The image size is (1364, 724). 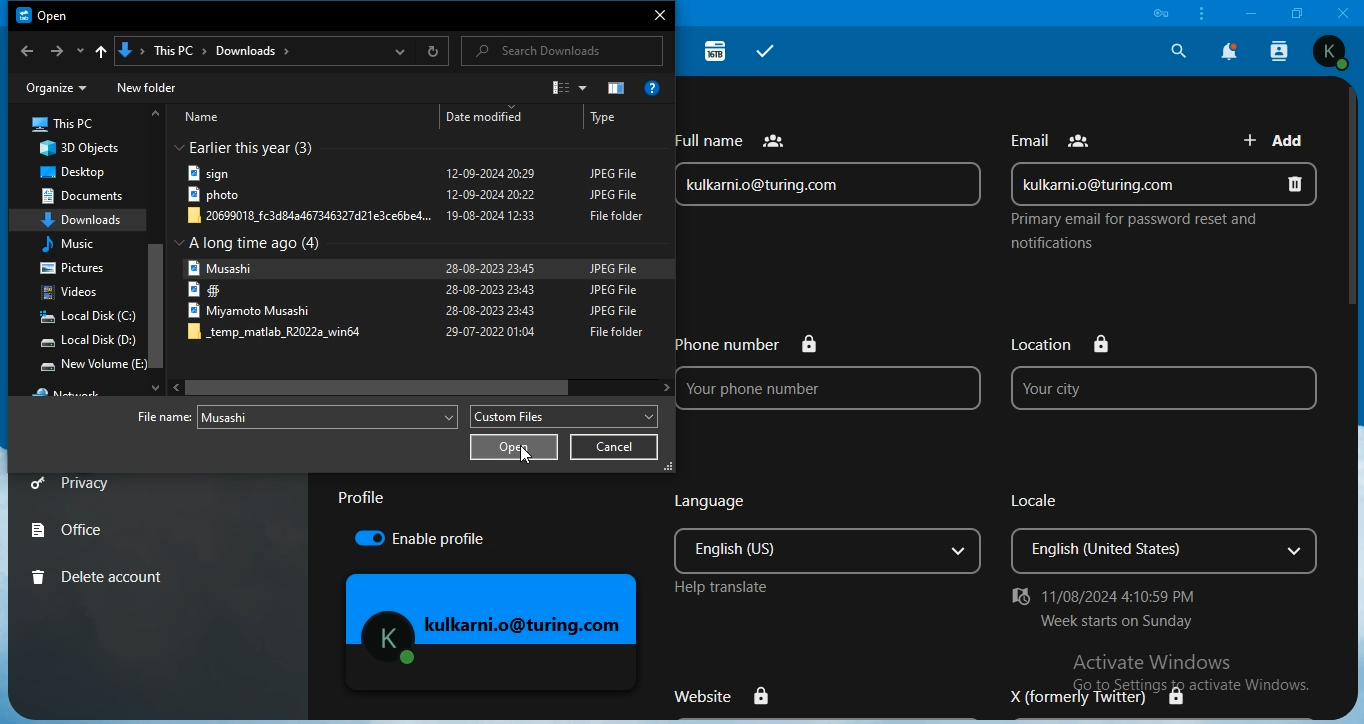 What do you see at coordinates (655, 87) in the screenshot?
I see `get help` at bounding box center [655, 87].